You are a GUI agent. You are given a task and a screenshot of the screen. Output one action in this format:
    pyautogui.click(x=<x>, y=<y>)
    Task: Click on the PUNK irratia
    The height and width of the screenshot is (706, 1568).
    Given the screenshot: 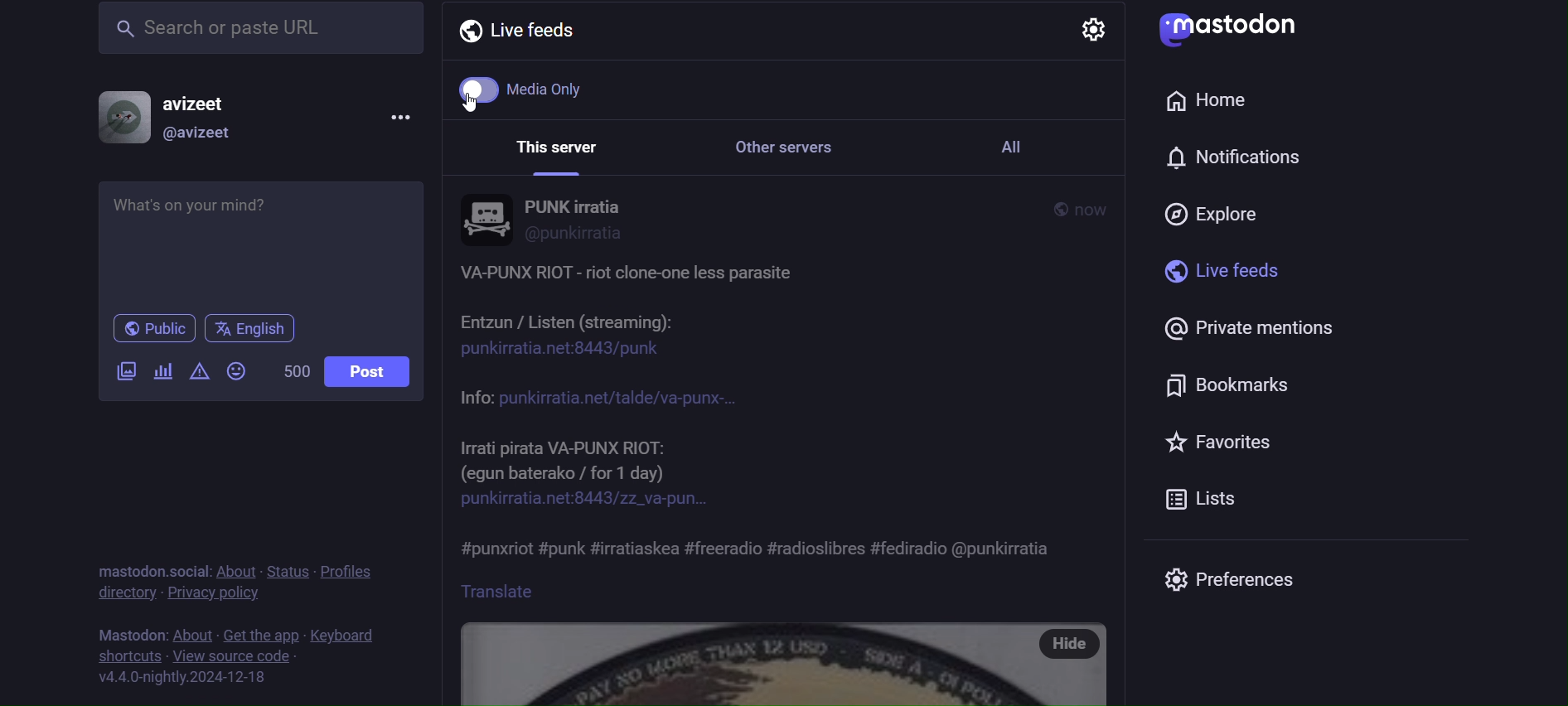 What is the action you would take?
    pyautogui.click(x=576, y=204)
    